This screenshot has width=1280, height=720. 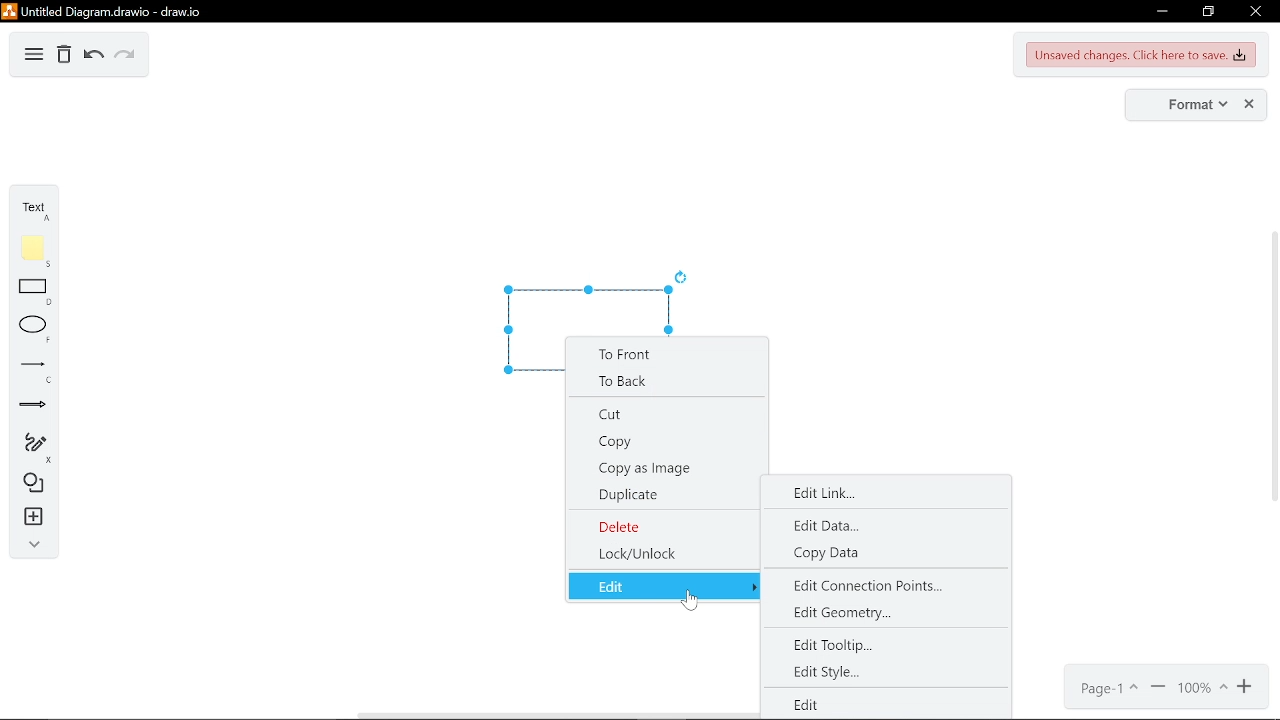 What do you see at coordinates (1251, 105) in the screenshot?
I see `close` at bounding box center [1251, 105].